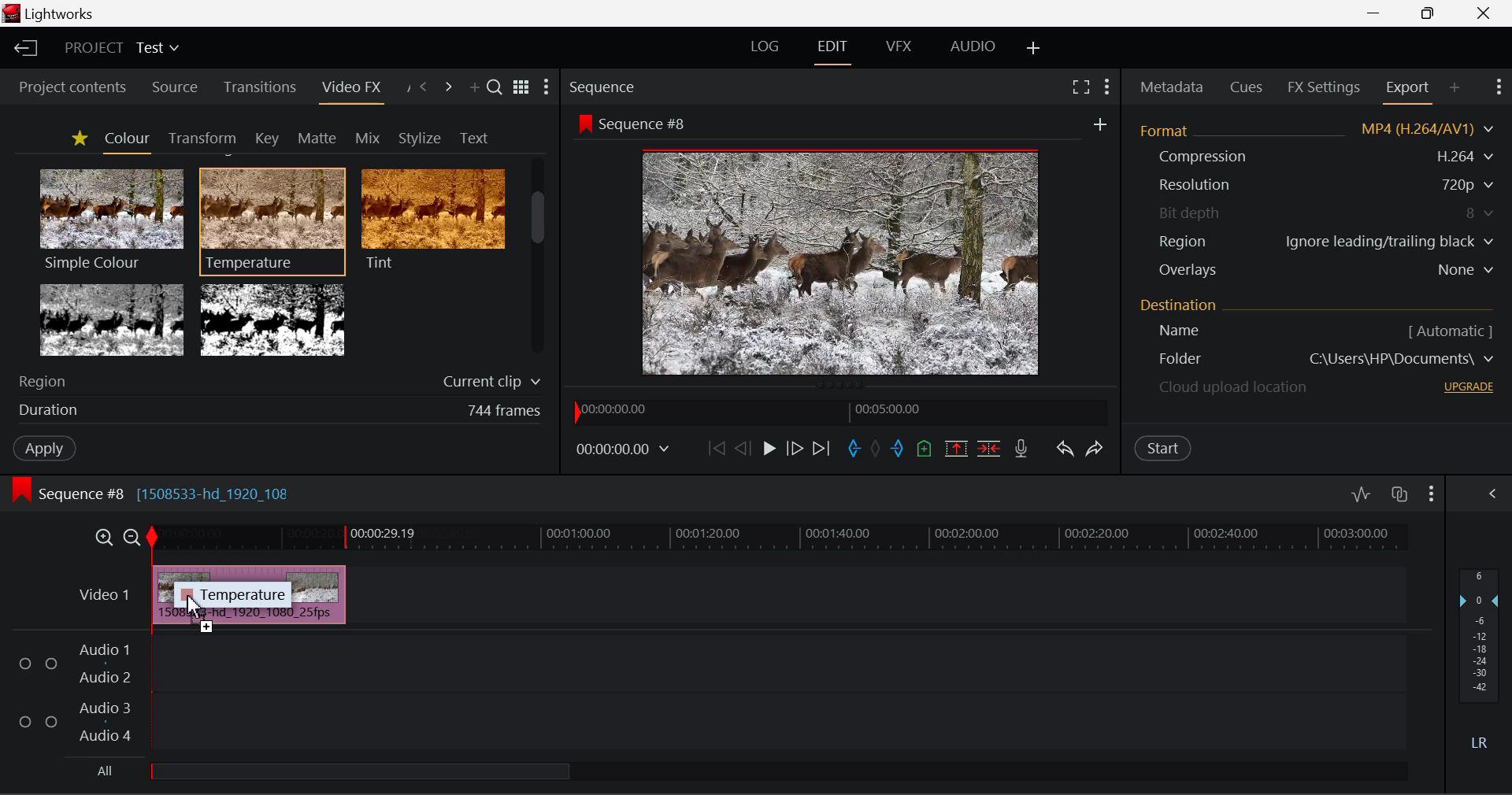 The height and width of the screenshot is (795, 1512). I want to click on MP4 (H.264/AV1) , so click(1419, 129).